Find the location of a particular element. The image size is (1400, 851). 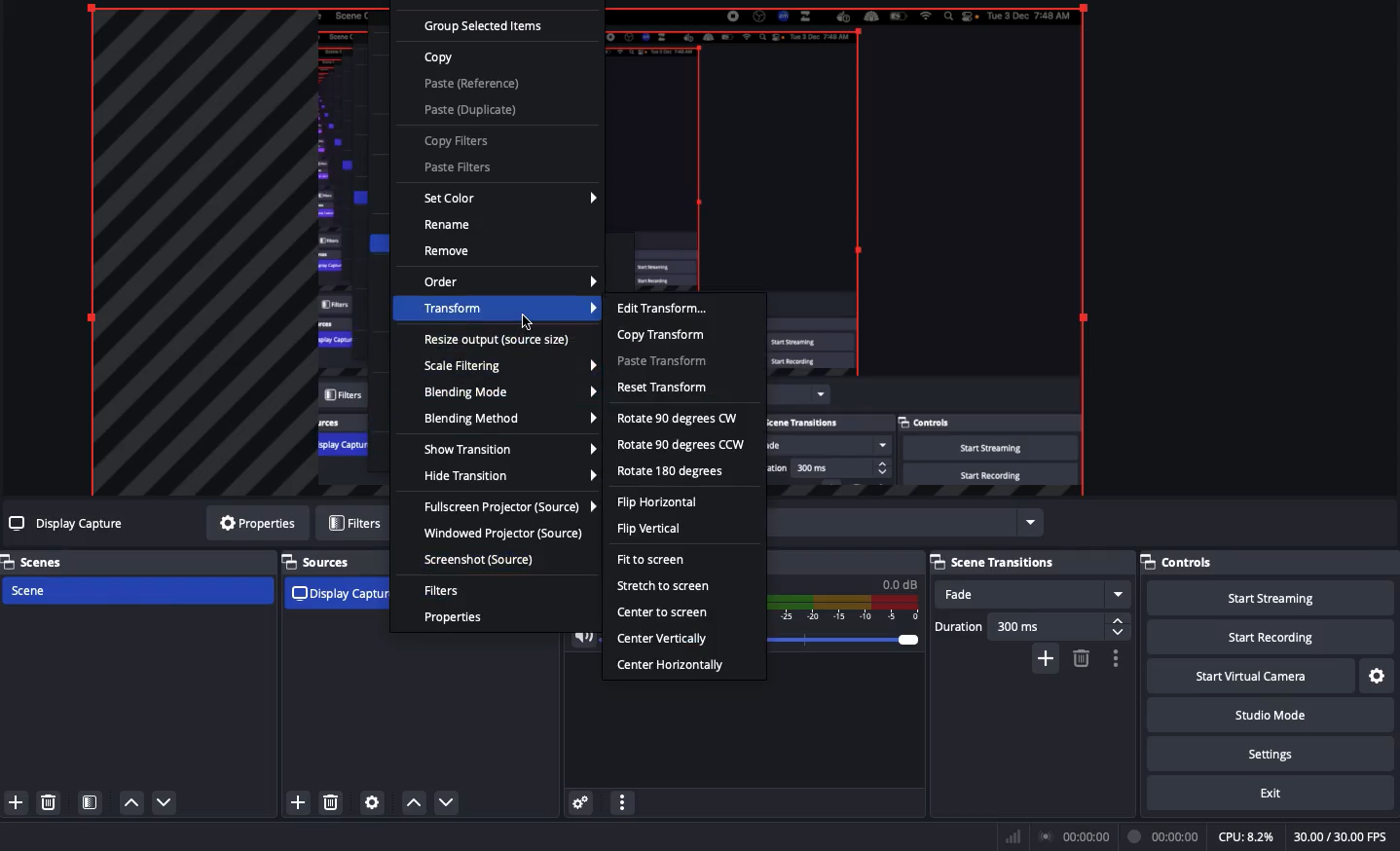

Reset transform is located at coordinates (665, 388).